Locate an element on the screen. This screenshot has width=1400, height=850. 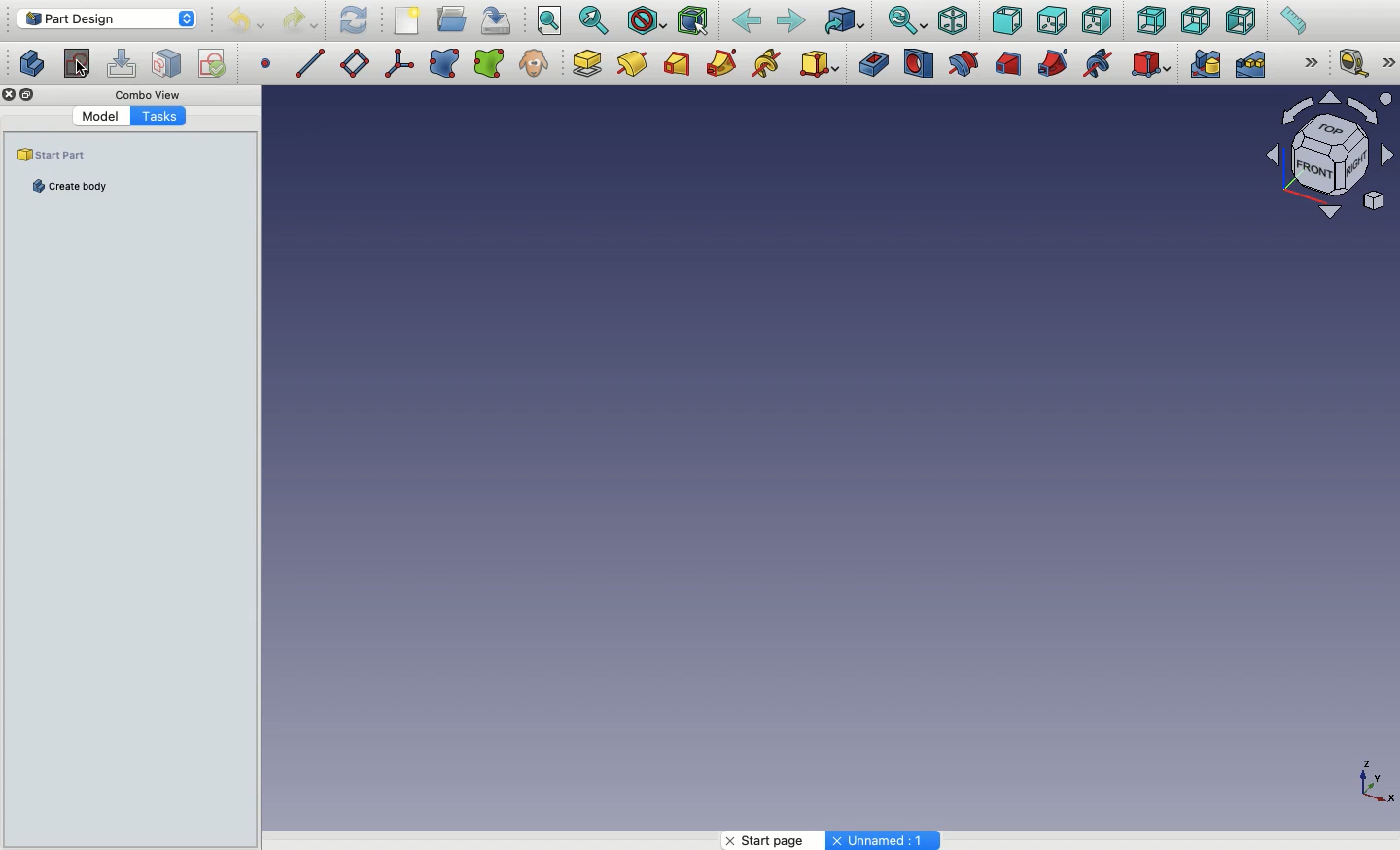
Create body is located at coordinates (79, 64).